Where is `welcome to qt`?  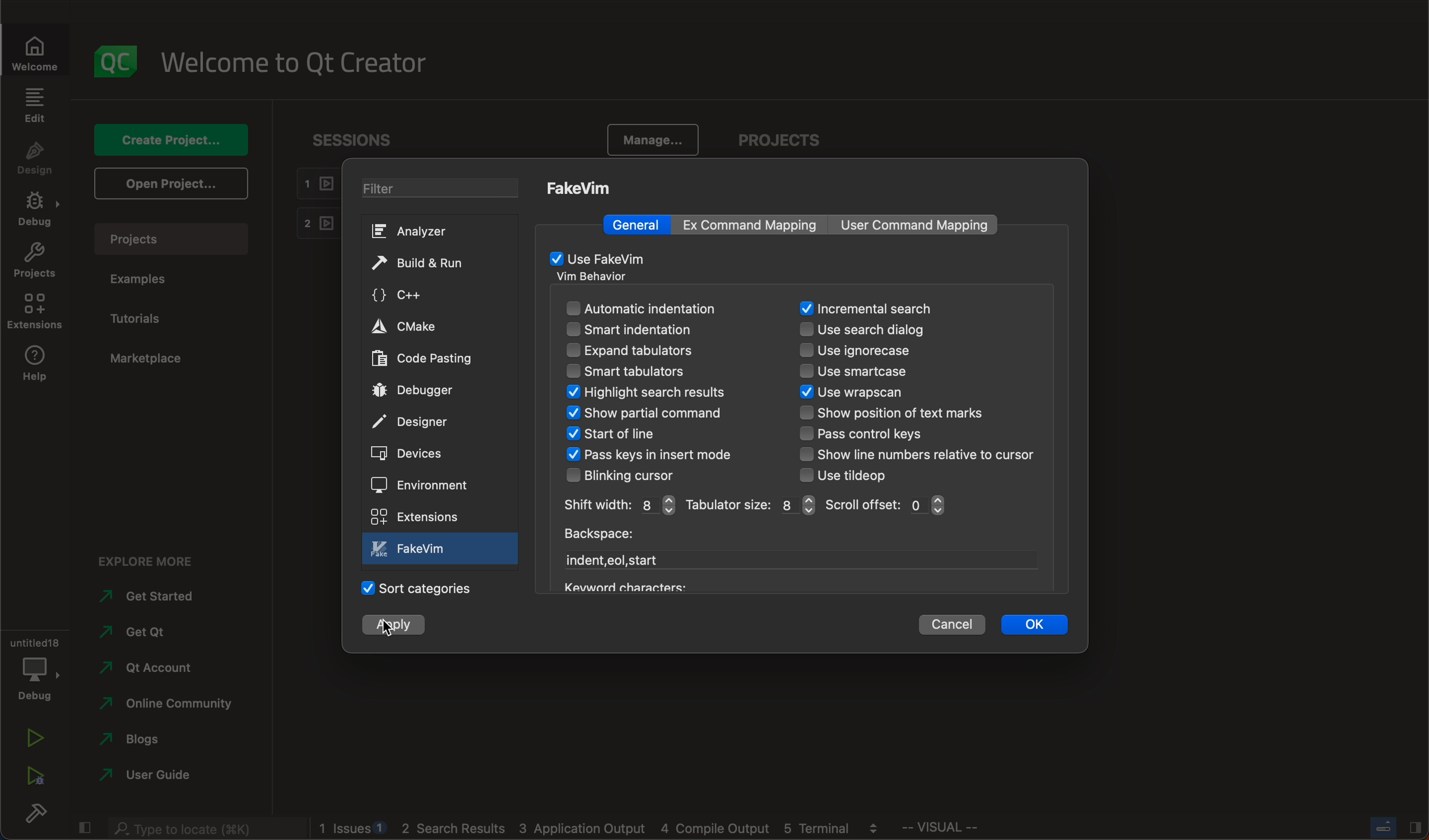
welcome to qt is located at coordinates (301, 63).